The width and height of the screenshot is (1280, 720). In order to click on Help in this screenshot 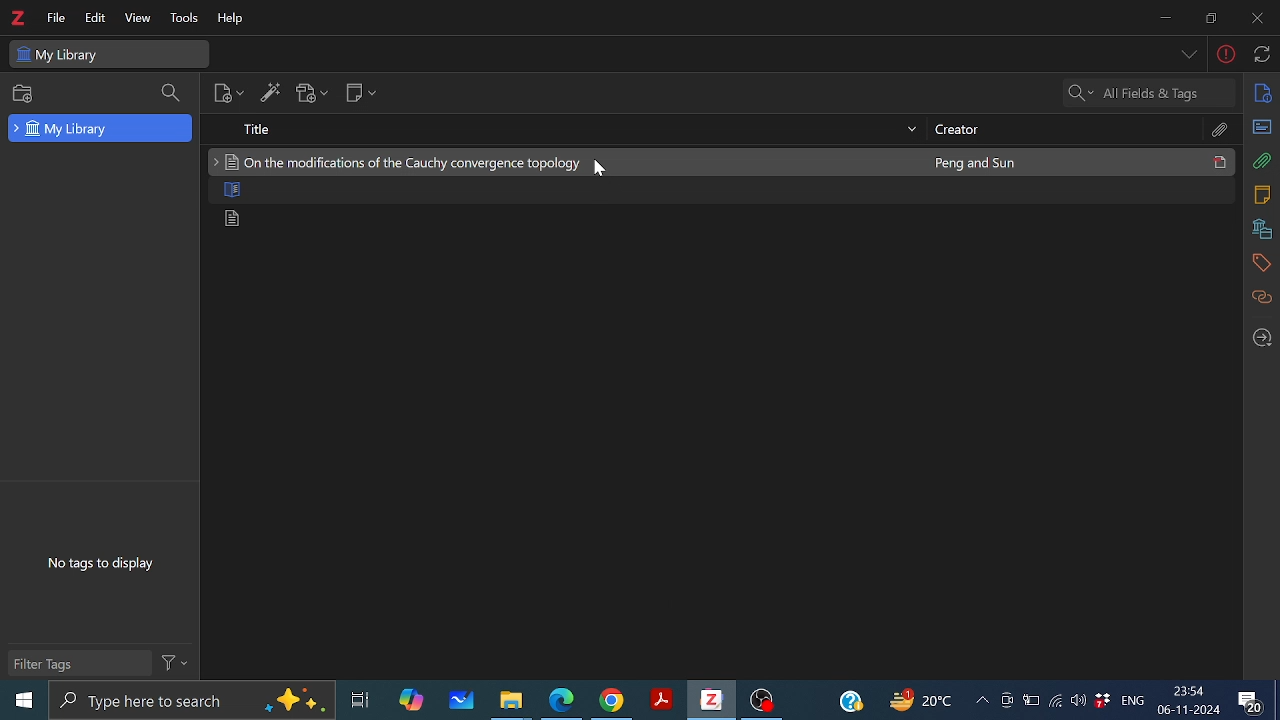, I will do `click(850, 699)`.